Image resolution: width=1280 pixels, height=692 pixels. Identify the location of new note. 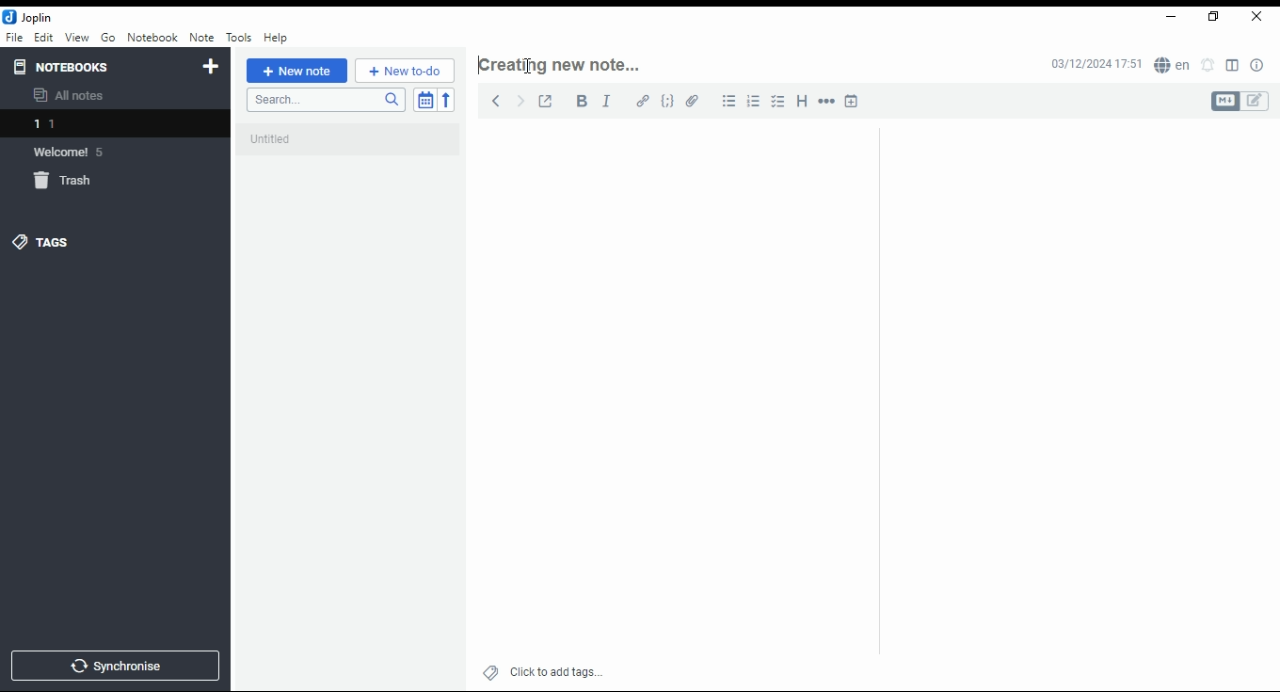
(296, 71).